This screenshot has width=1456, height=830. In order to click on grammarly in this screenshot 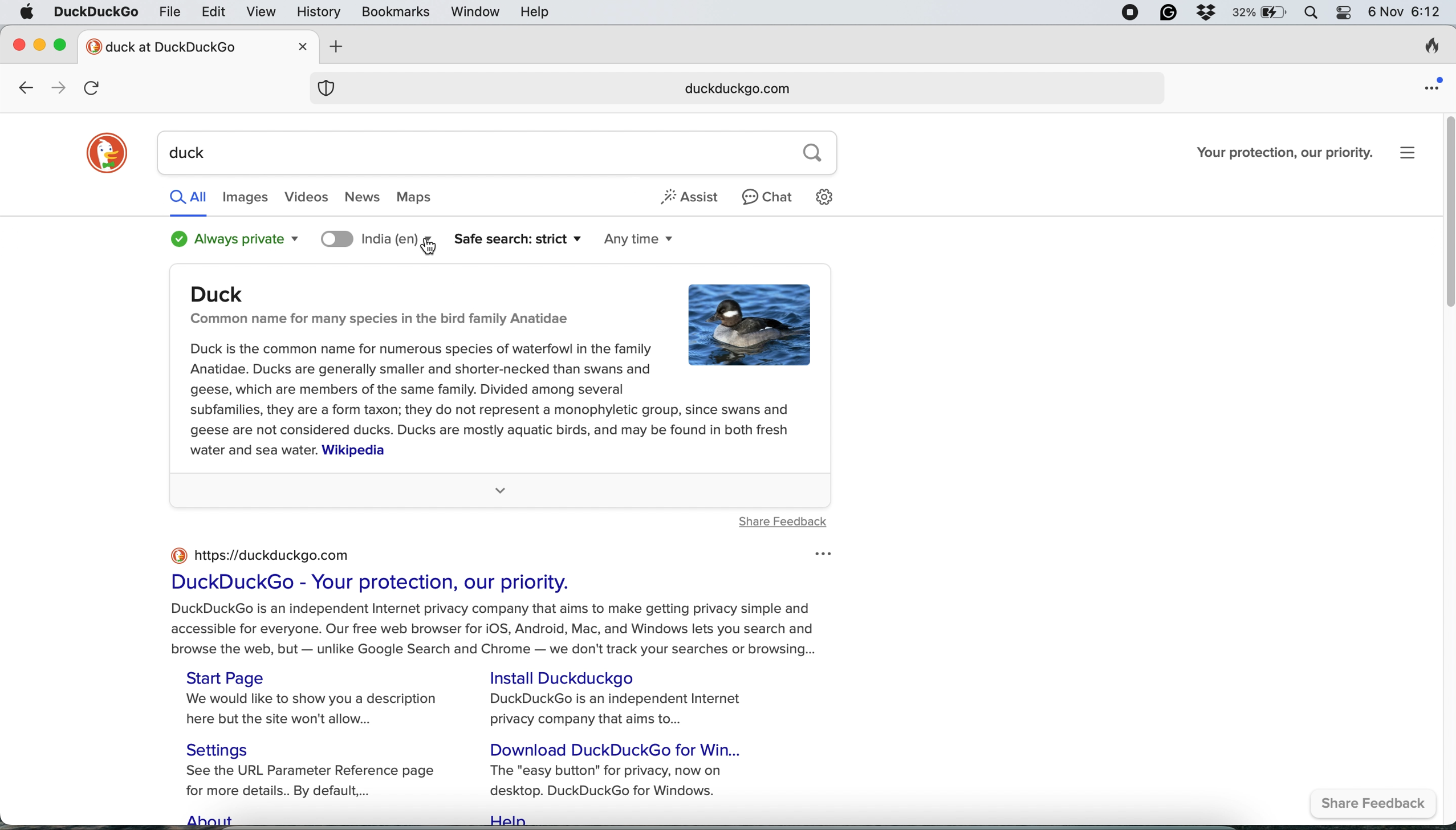, I will do `click(1167, 13)`.